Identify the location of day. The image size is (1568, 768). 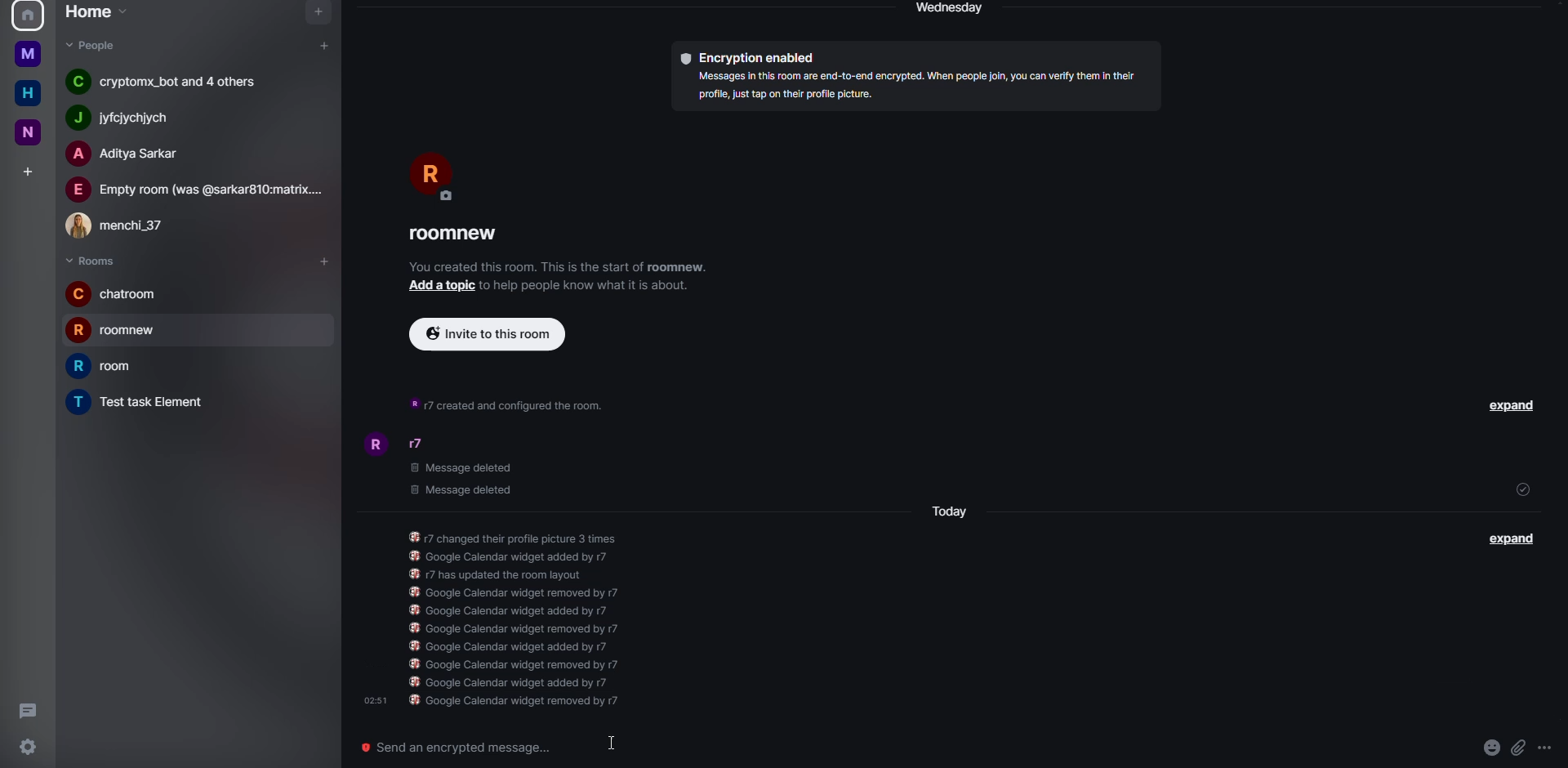
(952, 10).